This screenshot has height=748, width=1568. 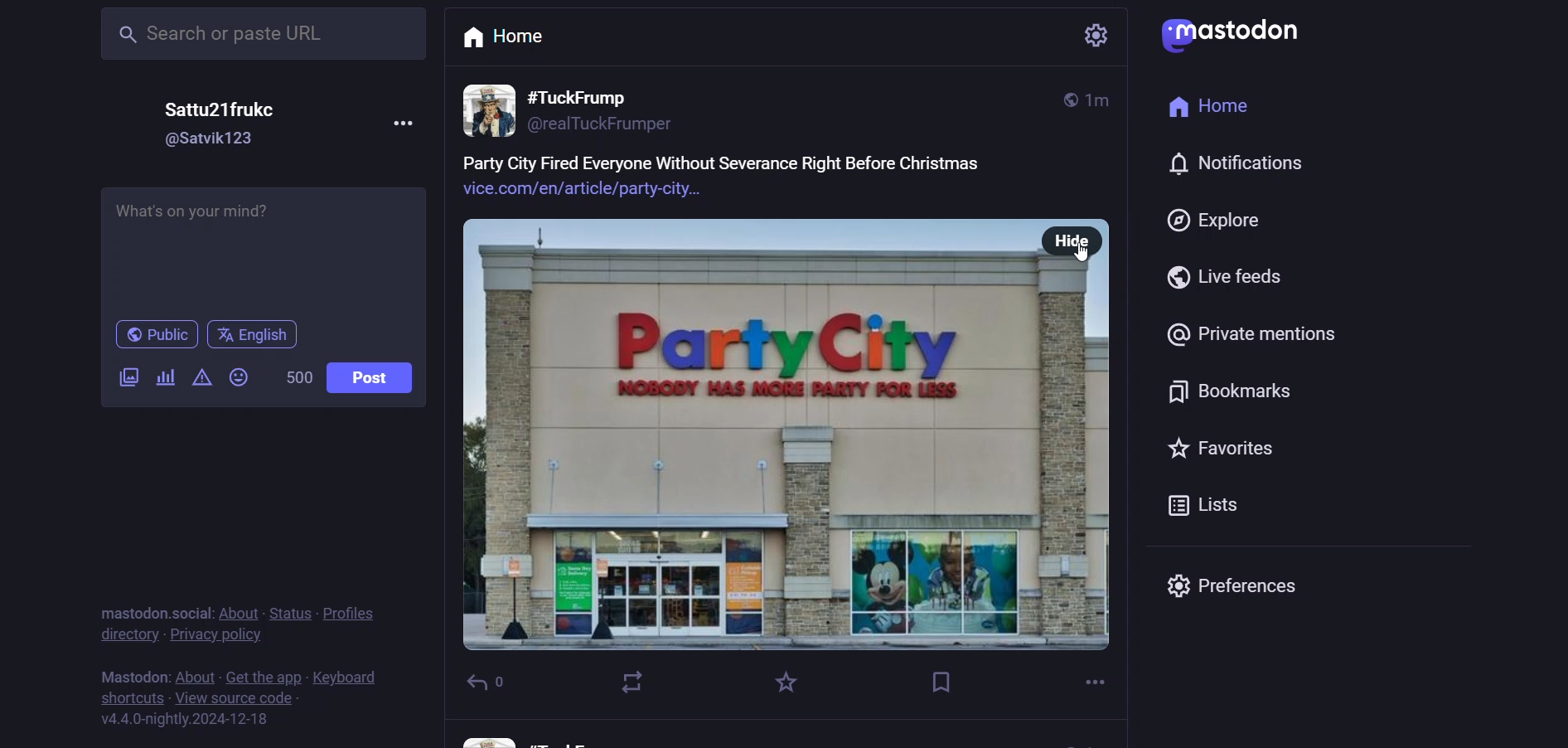 I want to click on logo, so click(x=1230, y=32).